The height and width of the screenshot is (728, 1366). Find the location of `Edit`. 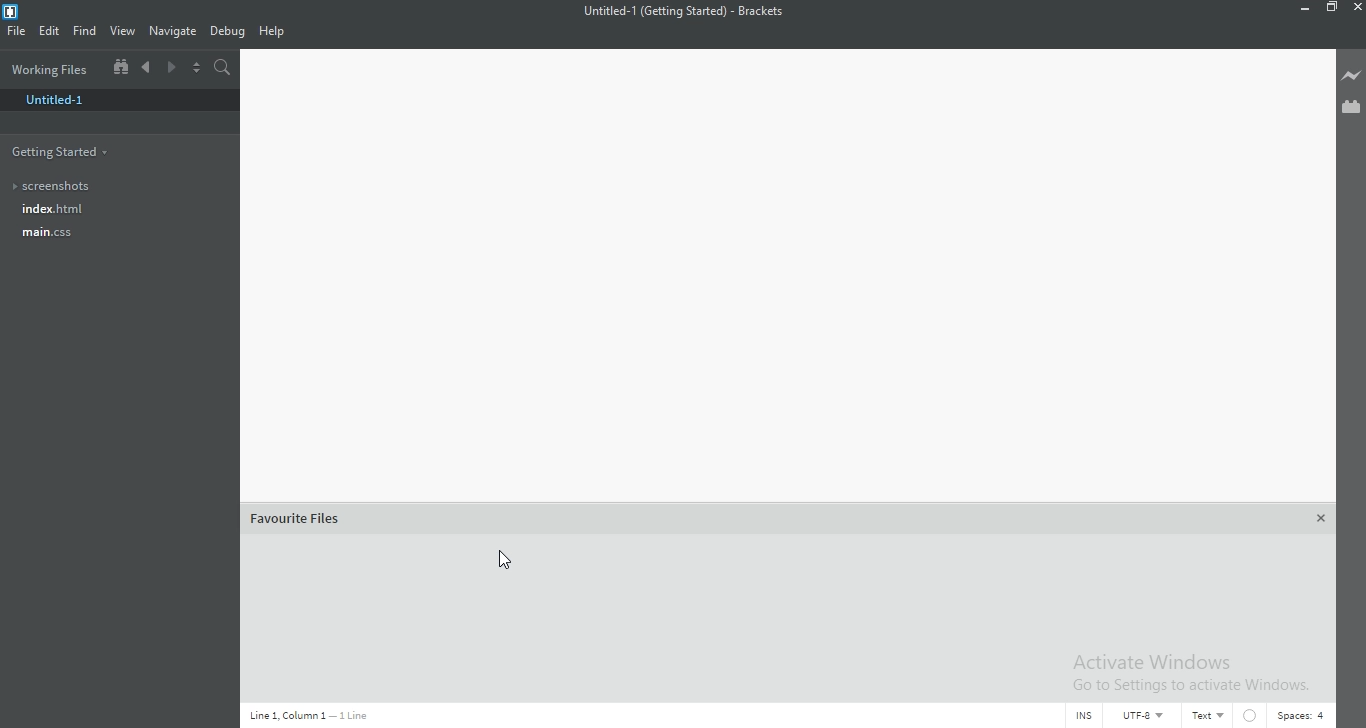

Edit is located at coordinates (50, 33).